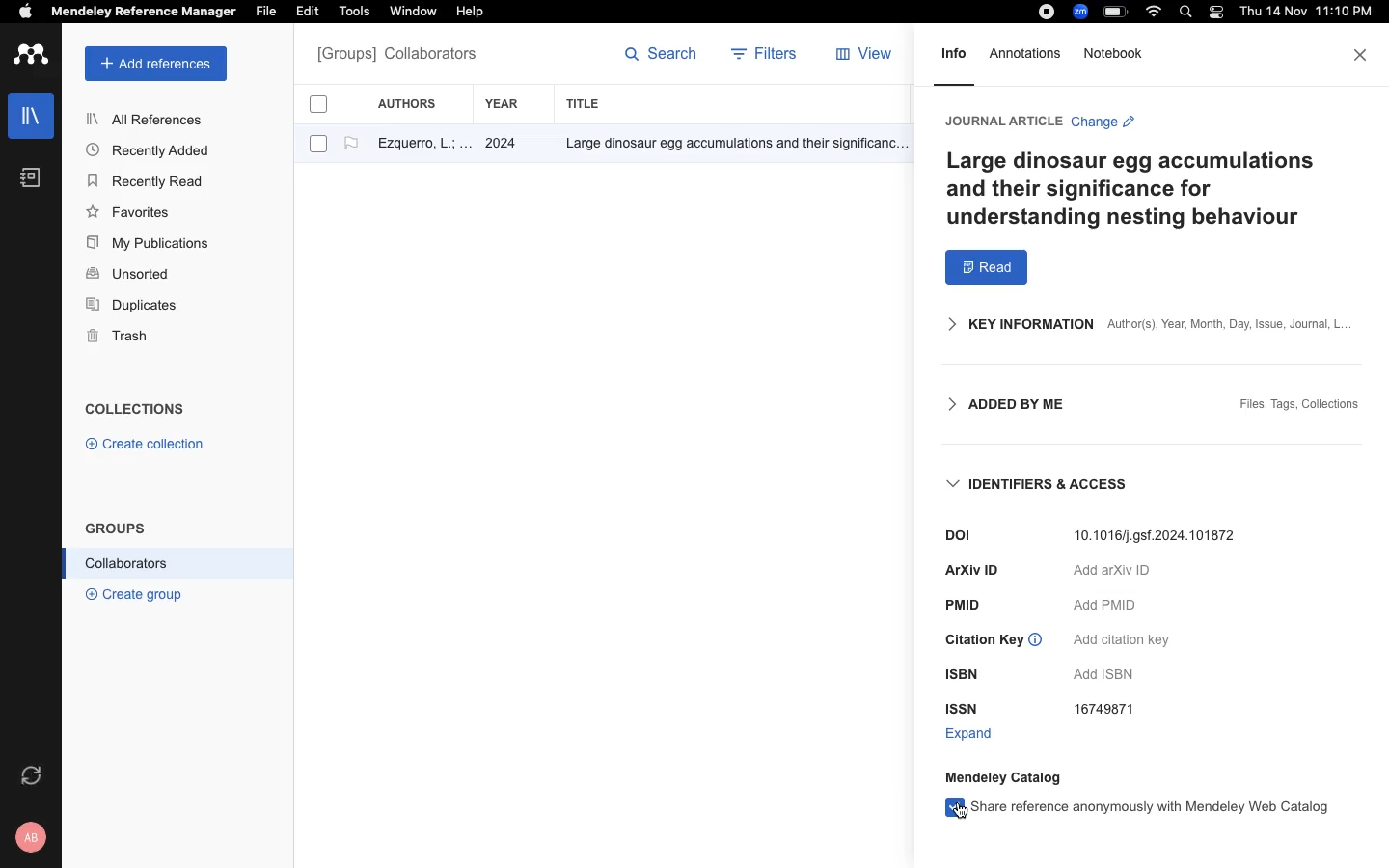 This screenshot has height=868, width=1389. Describe the element at coordinates (148, 181) in the screenshot. I see `Recently Read` at that location.